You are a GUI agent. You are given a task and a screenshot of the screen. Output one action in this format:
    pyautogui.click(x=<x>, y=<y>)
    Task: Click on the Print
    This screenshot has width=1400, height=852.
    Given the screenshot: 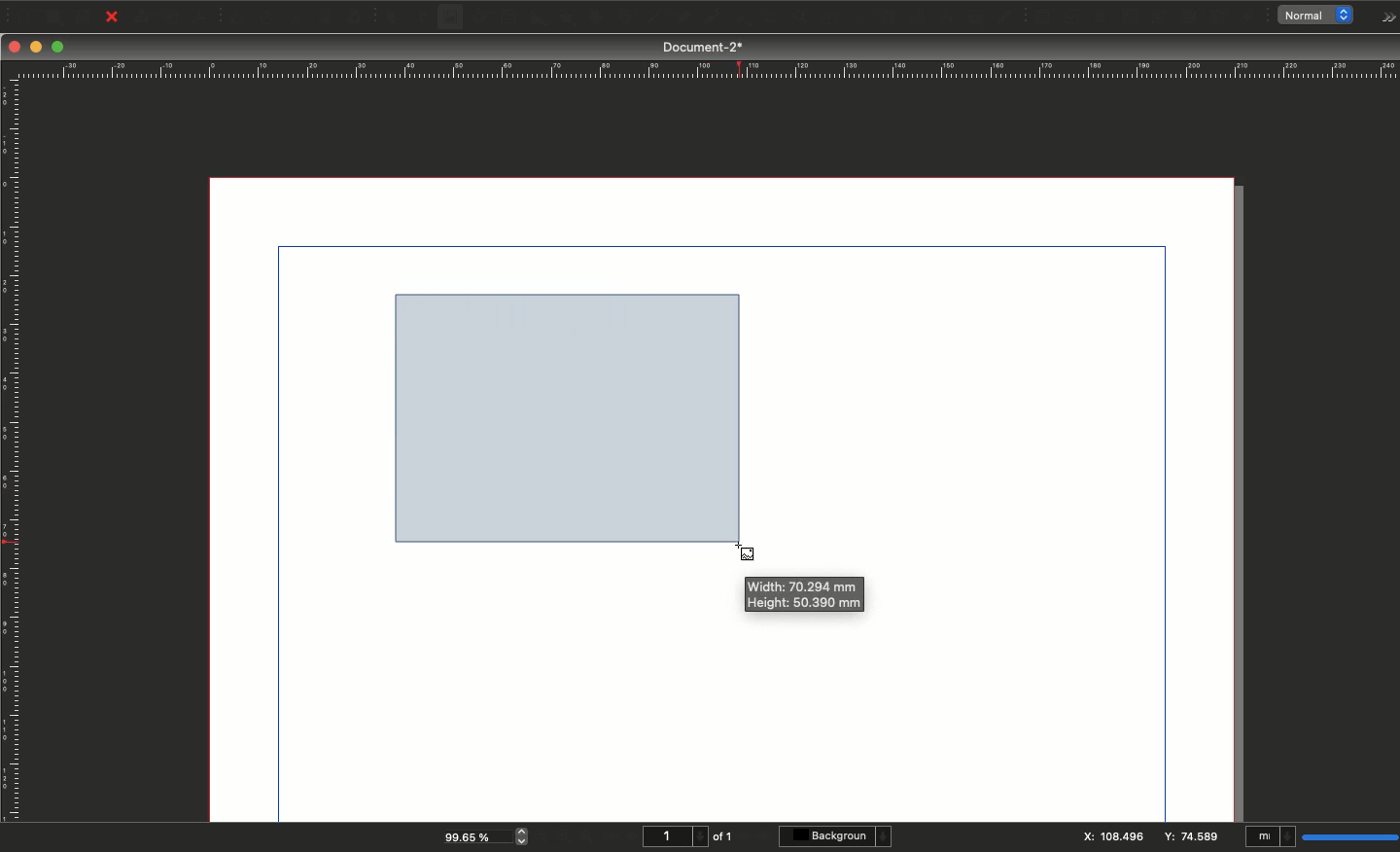 What is the action you would take?
    pyautogui.click(x=142, y=18)
    